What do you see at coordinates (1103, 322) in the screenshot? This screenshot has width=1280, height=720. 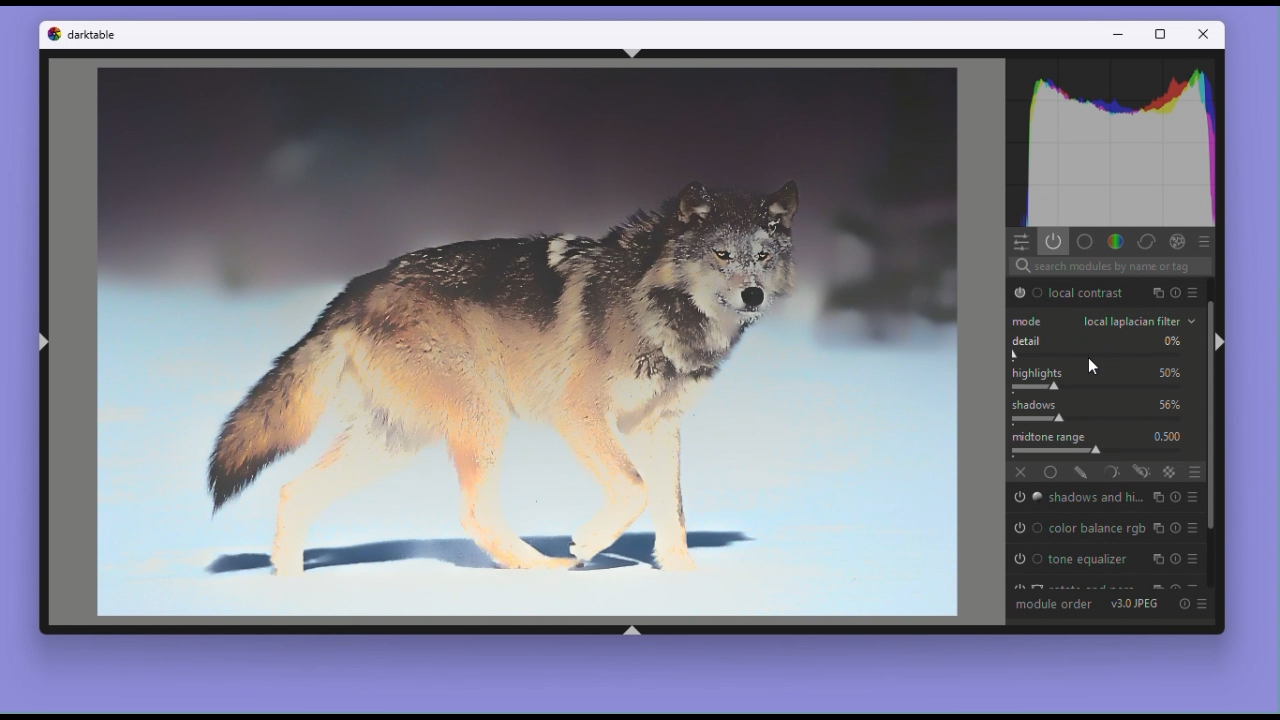 I see `Local laplacian filter` at bounding box center [1103, 322].